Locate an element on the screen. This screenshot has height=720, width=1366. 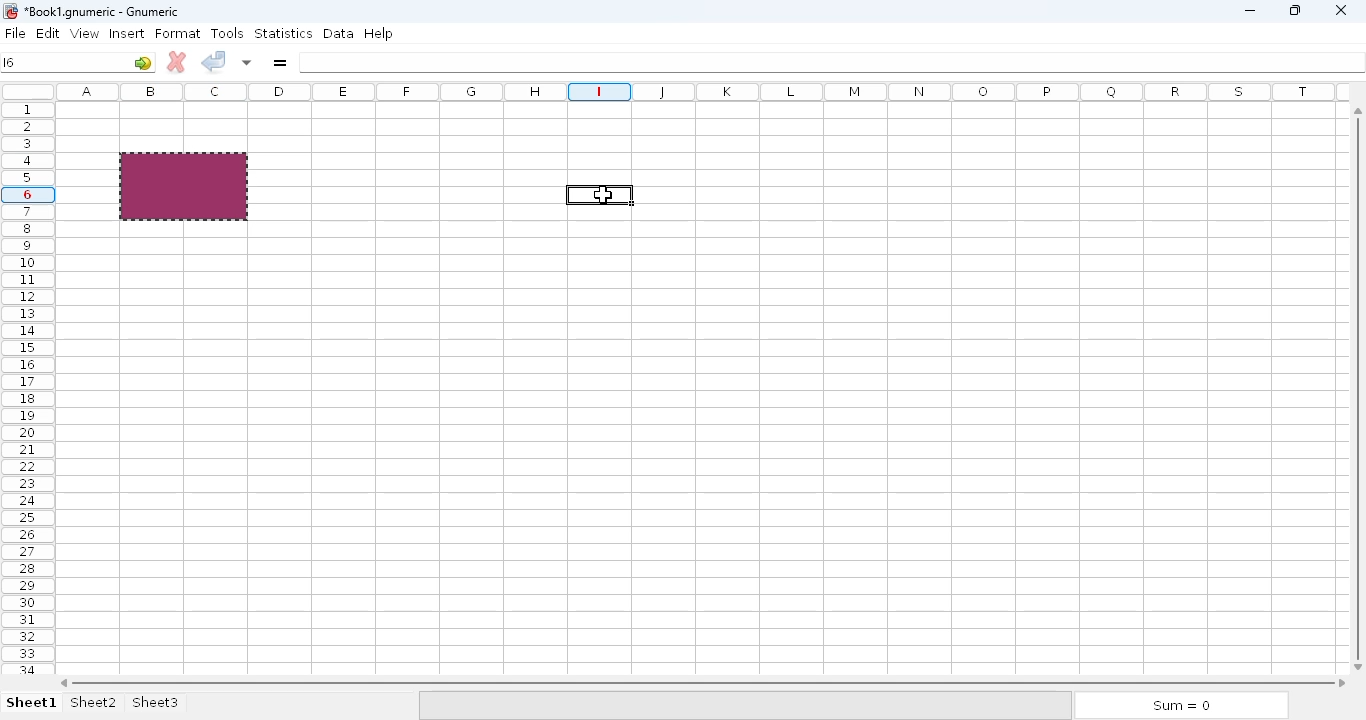
accept changes in multiple cells is located at coordinates (247, 62).